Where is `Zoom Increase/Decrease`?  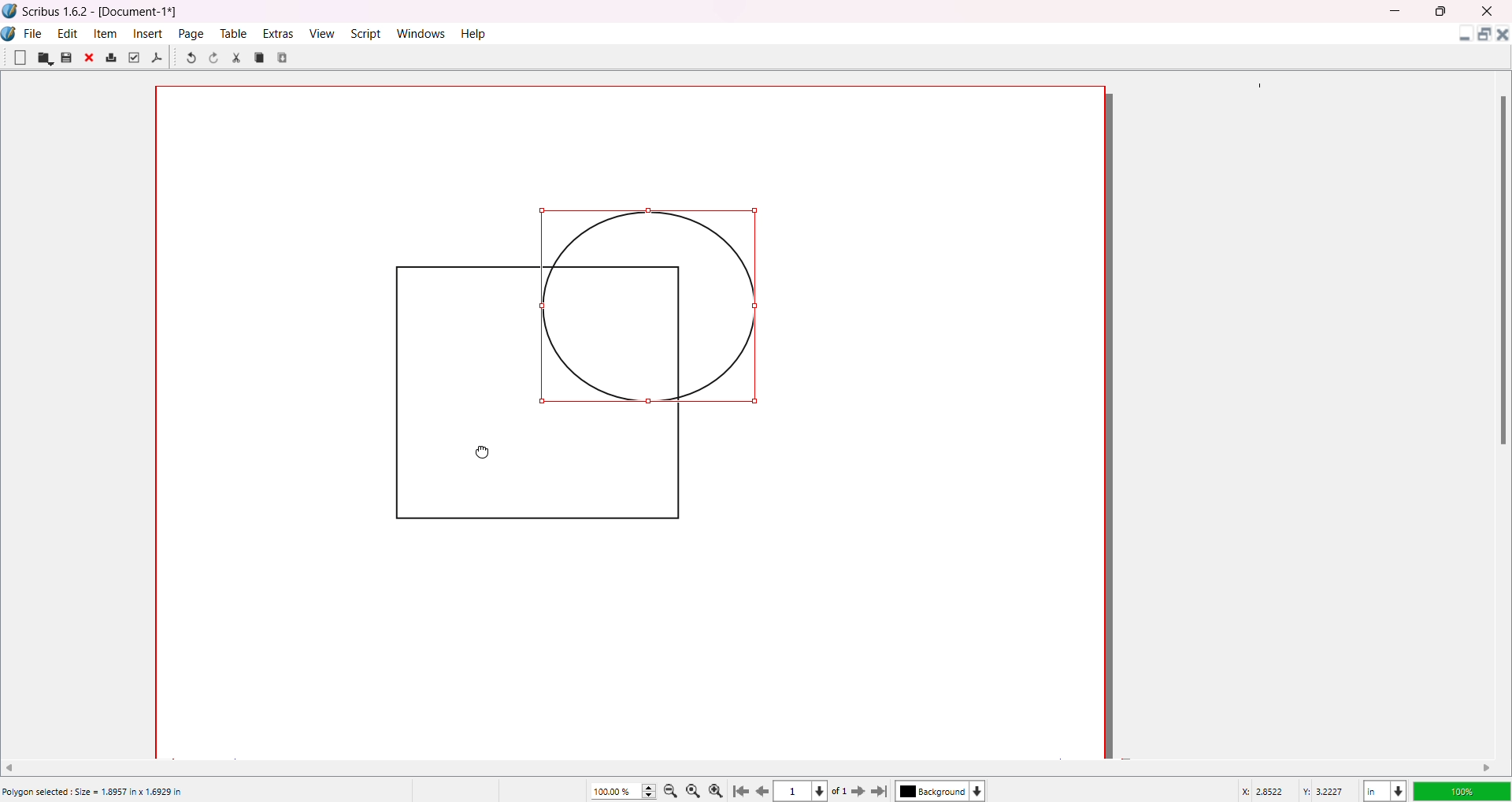 Zoom Increase/Decrease is located at coordinates (651, 789).